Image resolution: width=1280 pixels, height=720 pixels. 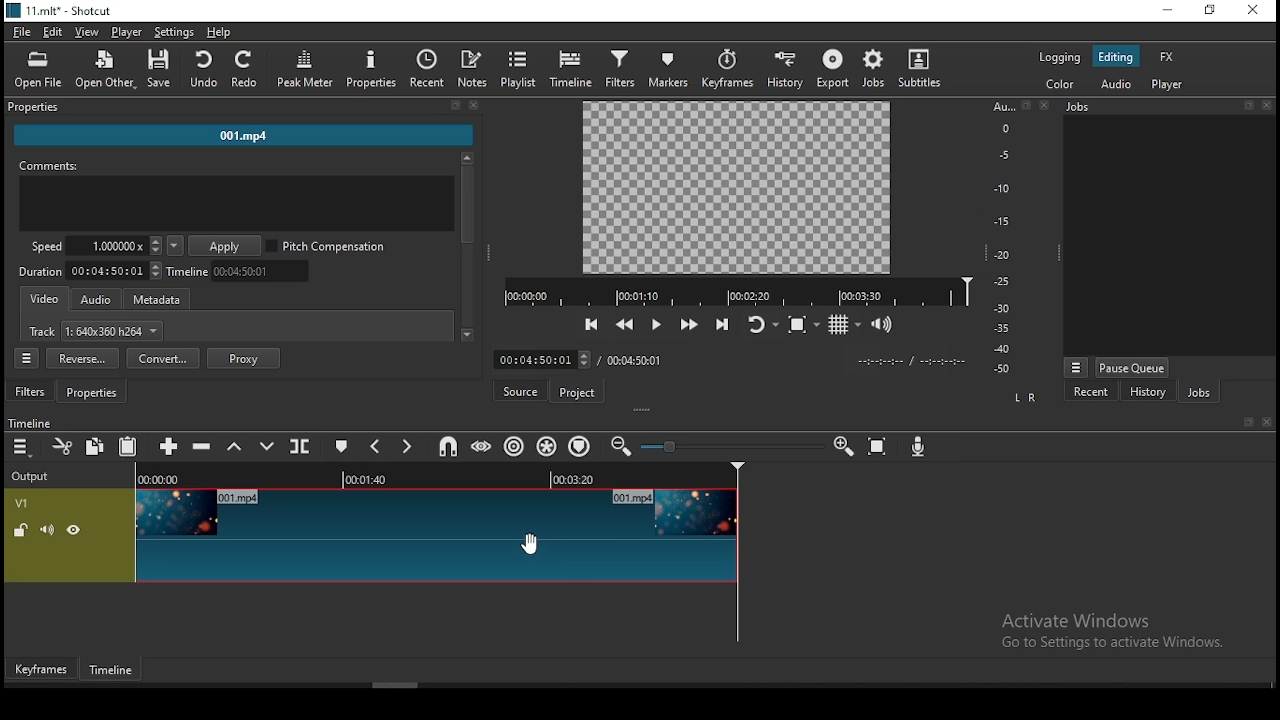 I want to click on keyframes, so click(x=41, y=670).